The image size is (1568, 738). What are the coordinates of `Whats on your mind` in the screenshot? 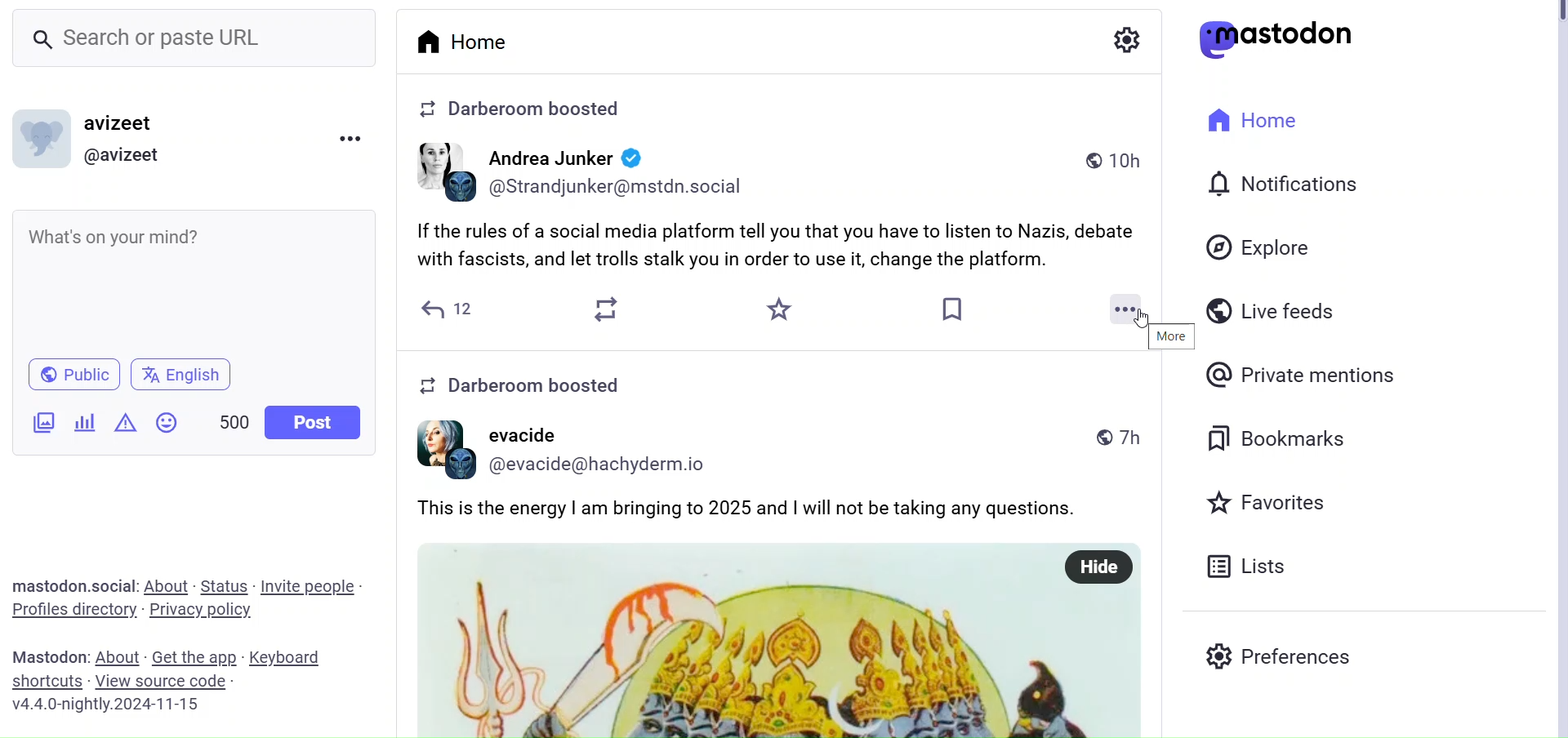 It's located at (192, 277).